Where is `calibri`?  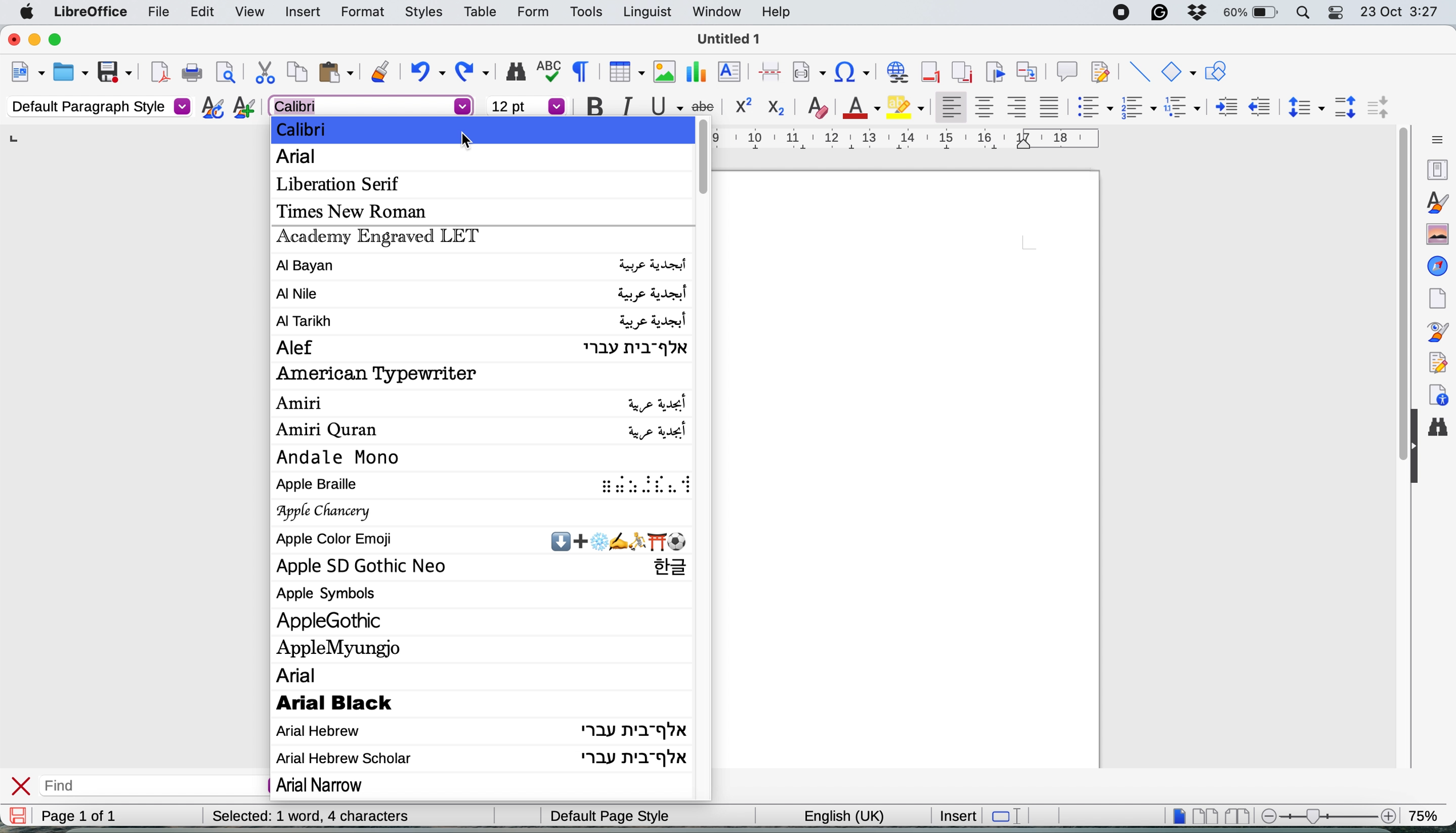 calibri is located at coordinates (311, 129).